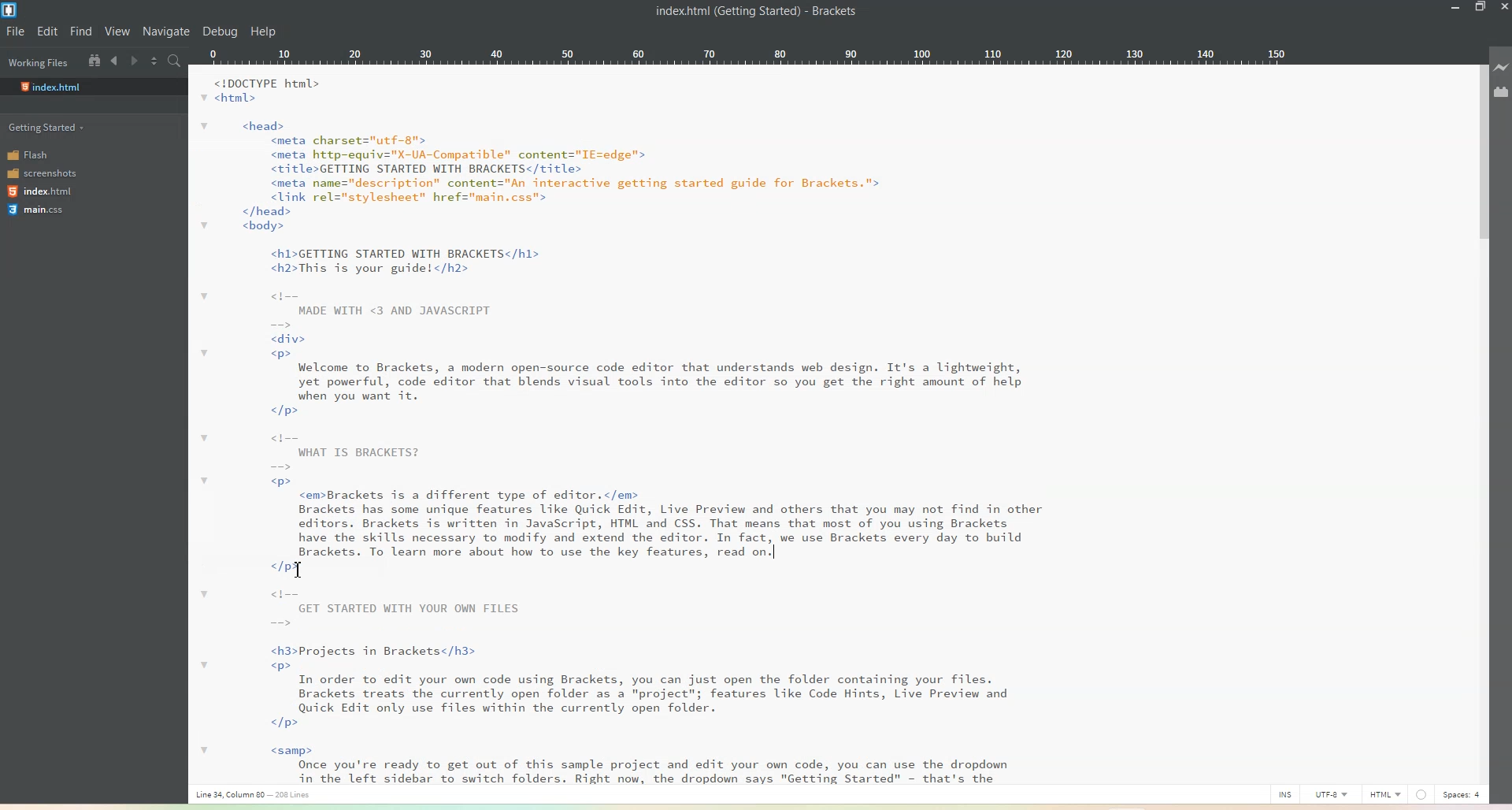 The height and width of the screenshot is (810, 1512). Describe the element at coordinates (262, 32) in the screenshot. I see `Help` at that location.